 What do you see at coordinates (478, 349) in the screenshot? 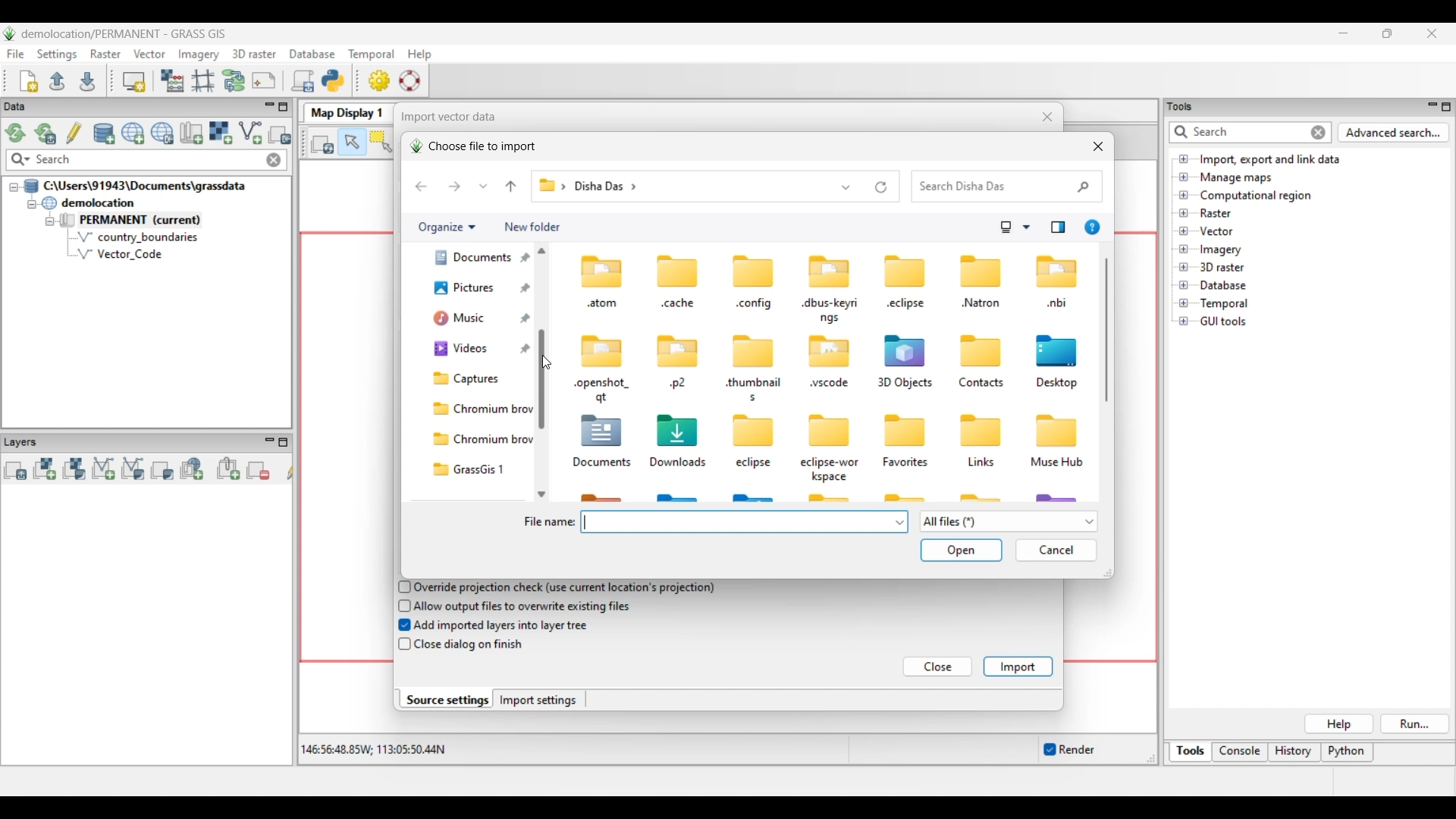
I see `Videos folder` at bounding box center [478, 349].